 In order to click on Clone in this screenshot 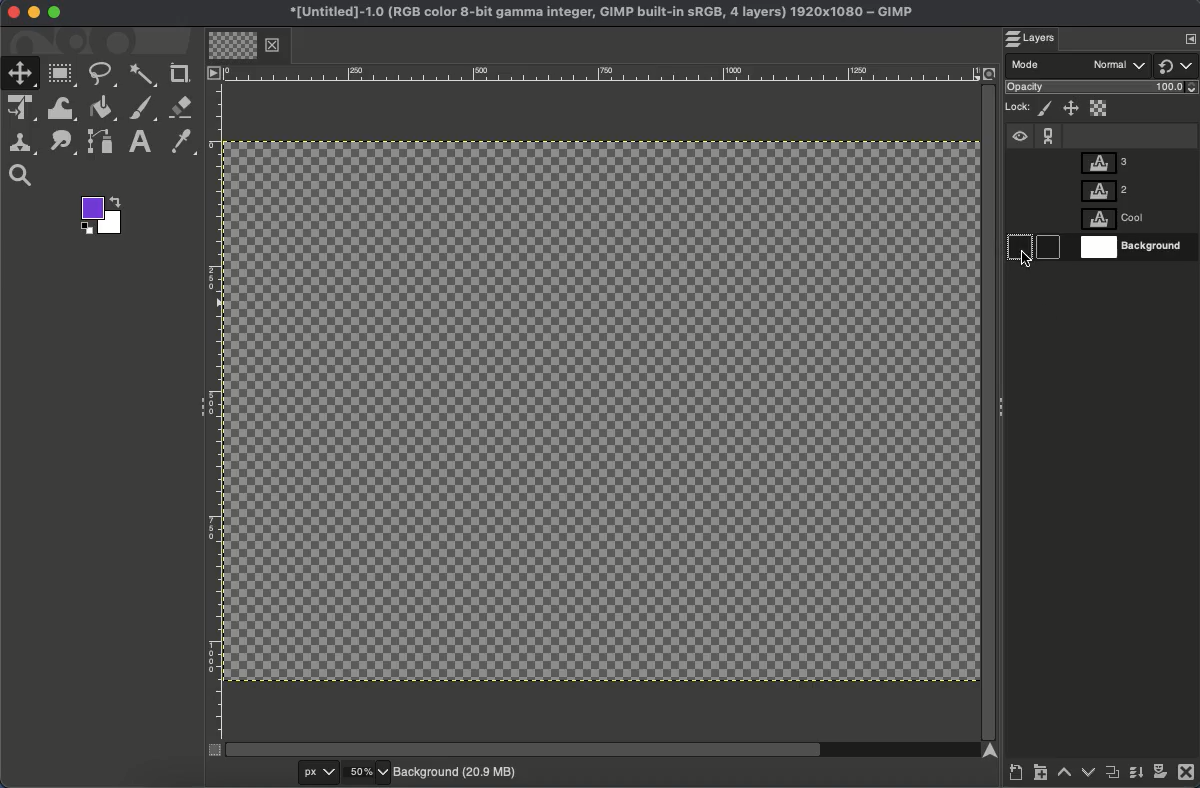, I will do `click(25, 143)`.